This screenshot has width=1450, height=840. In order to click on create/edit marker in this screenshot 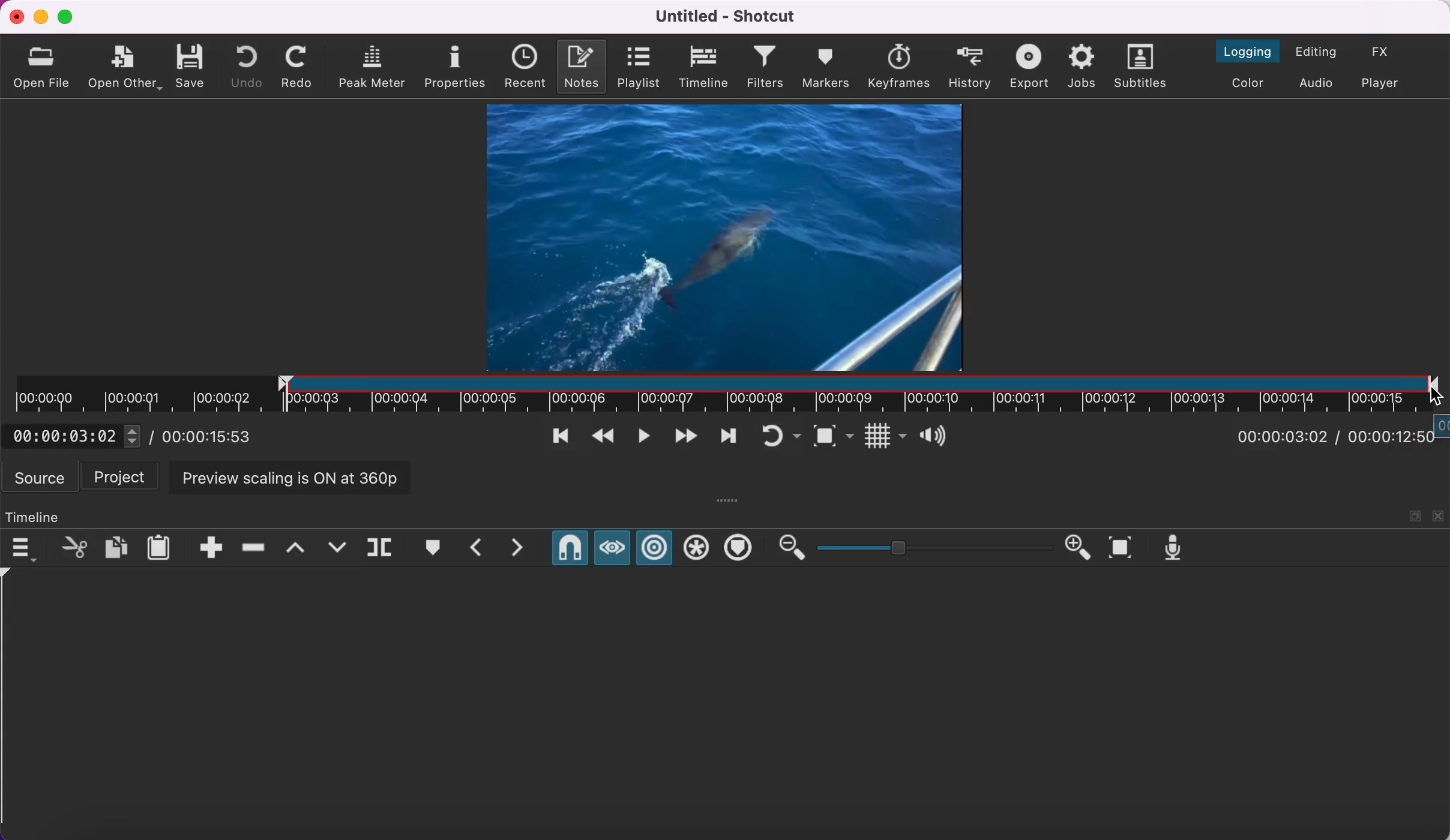, I will do `click(432, 545)`.